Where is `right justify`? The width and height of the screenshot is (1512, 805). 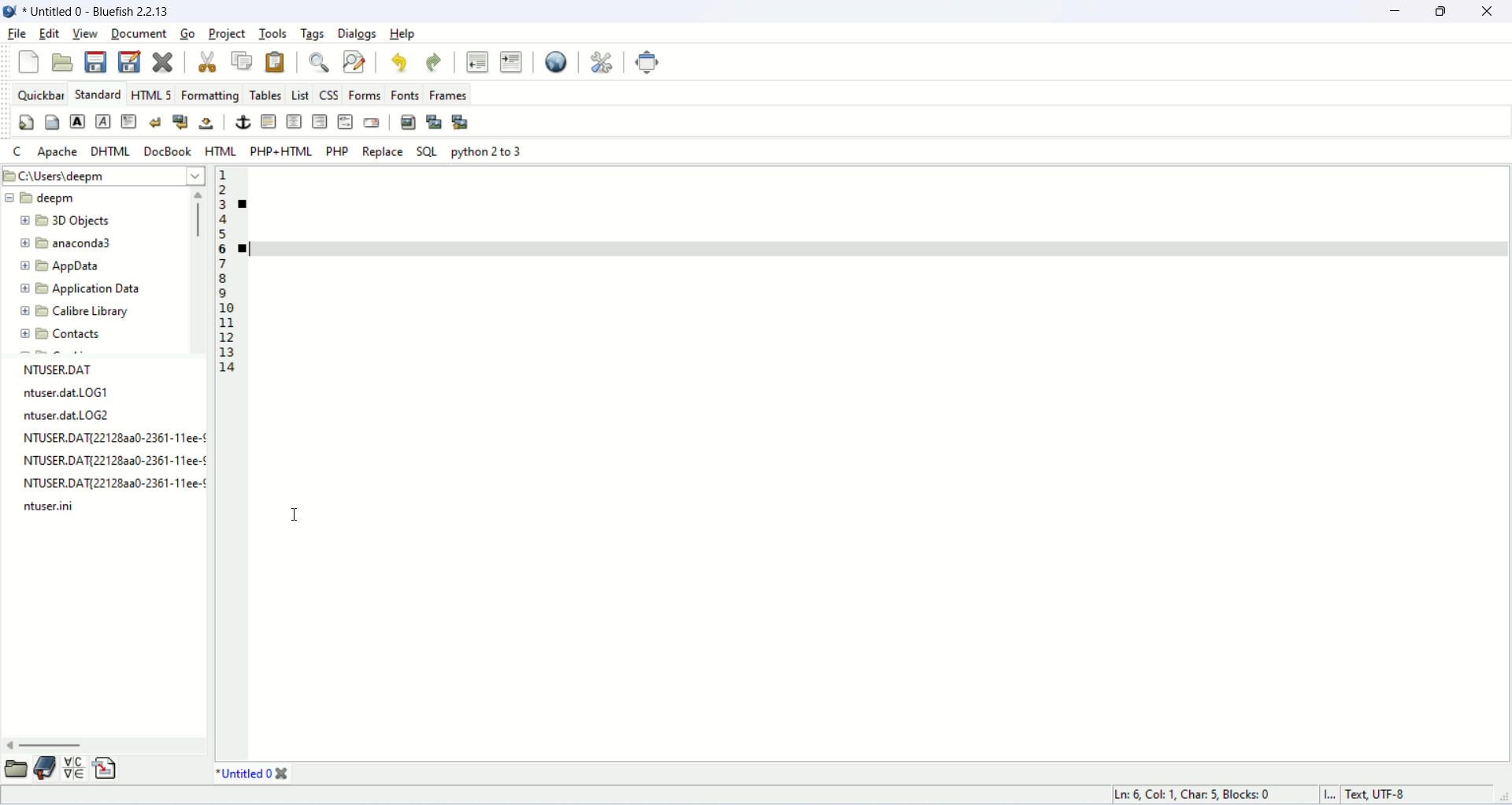 right justify is located at coordinates (320, 122).